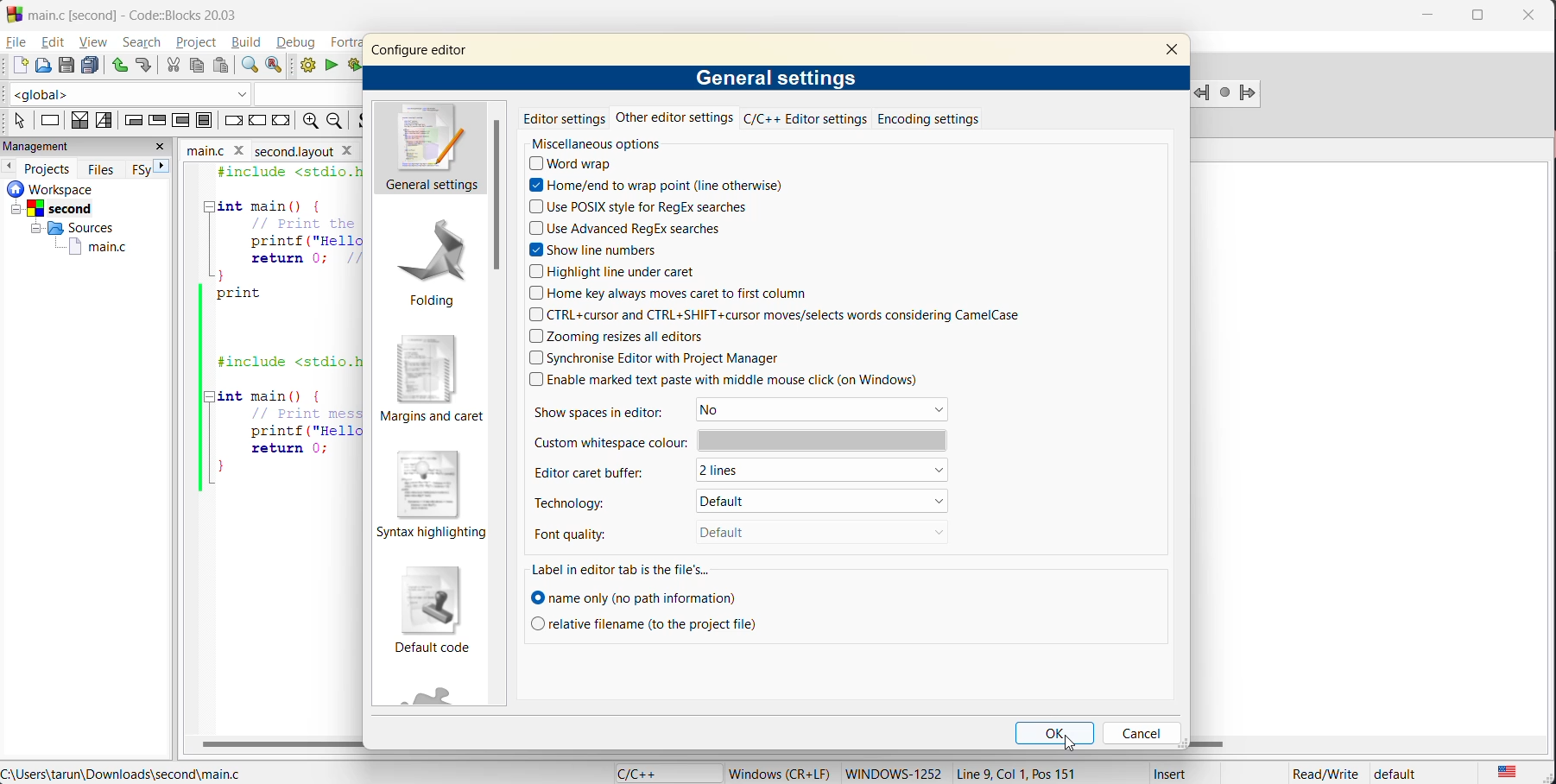 This screenshot has width=1556, height=784. I want to click on No, so click(813, 411).